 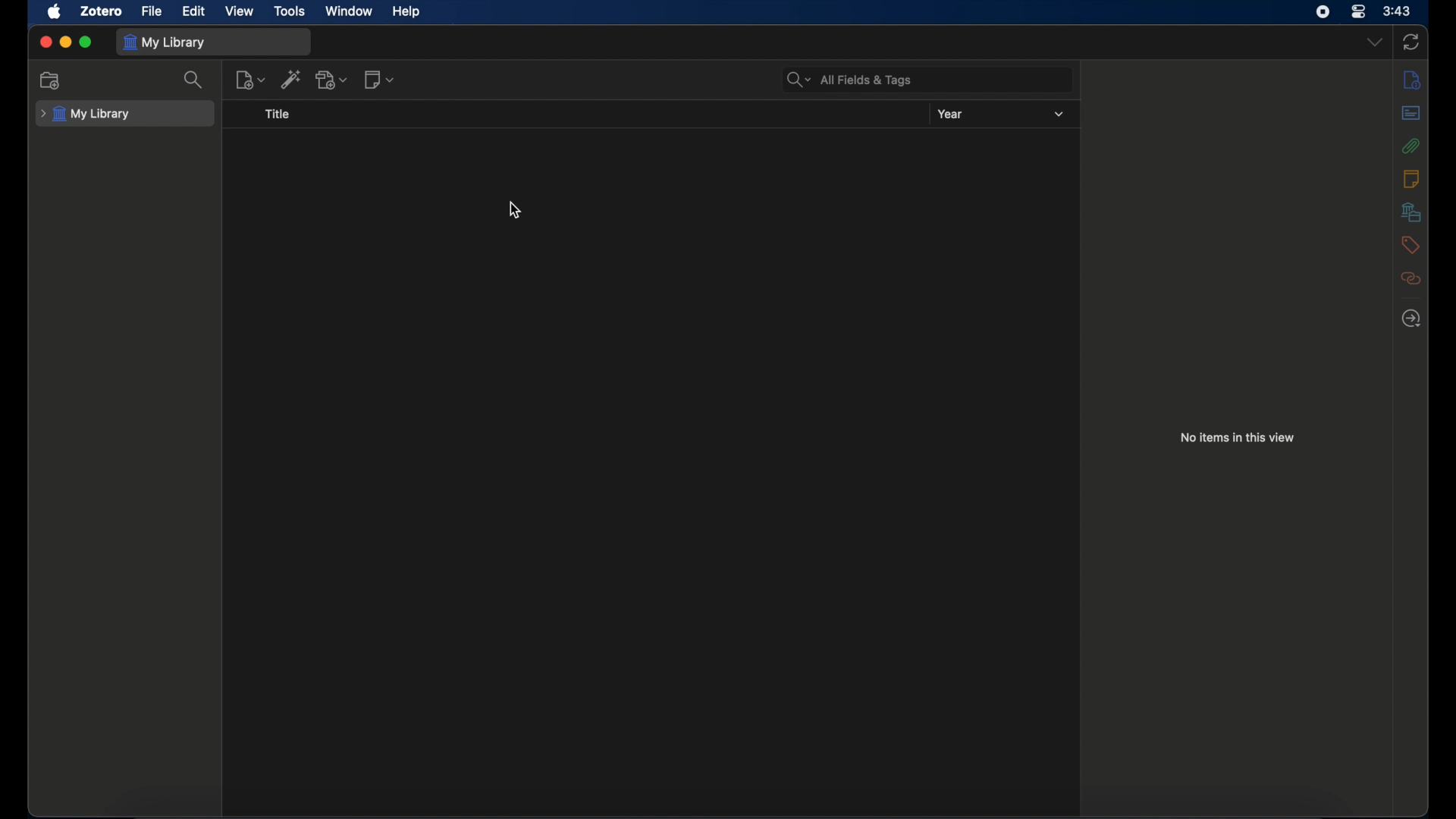 What do you see at coordinates (1410, 245) in the screenshot?
I see `tags` at bounding box center [1410, 245].